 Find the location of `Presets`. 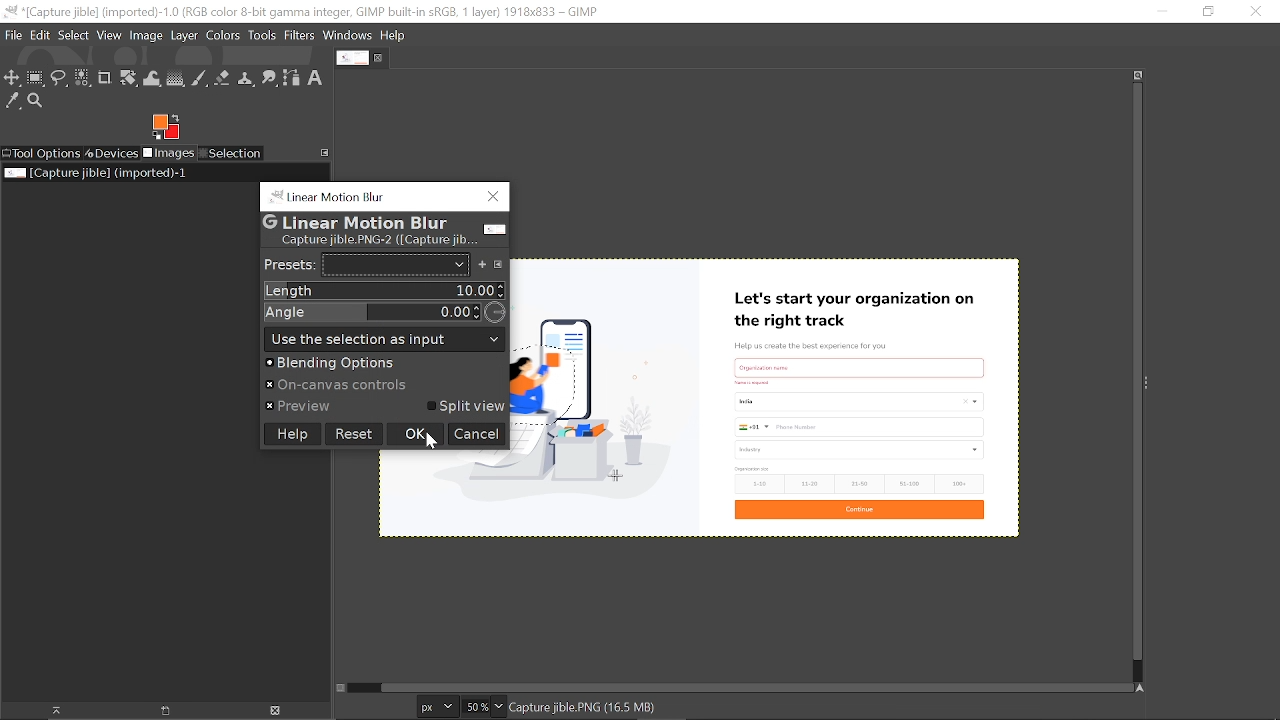

Presets is located at coordinates (395, 264).